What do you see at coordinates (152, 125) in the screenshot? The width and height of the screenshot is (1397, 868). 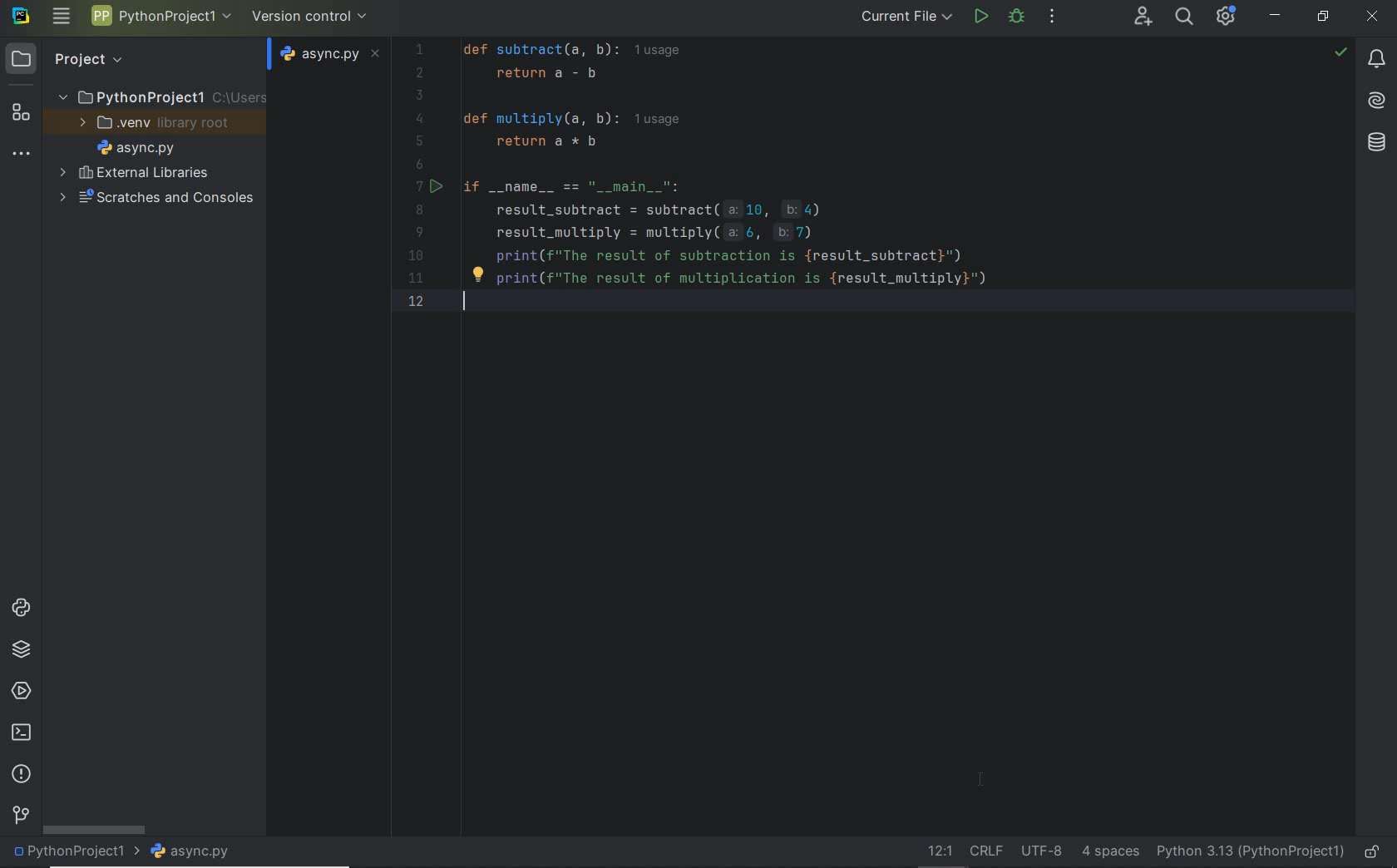 I see `.veny` at bounding box center [152, 125].